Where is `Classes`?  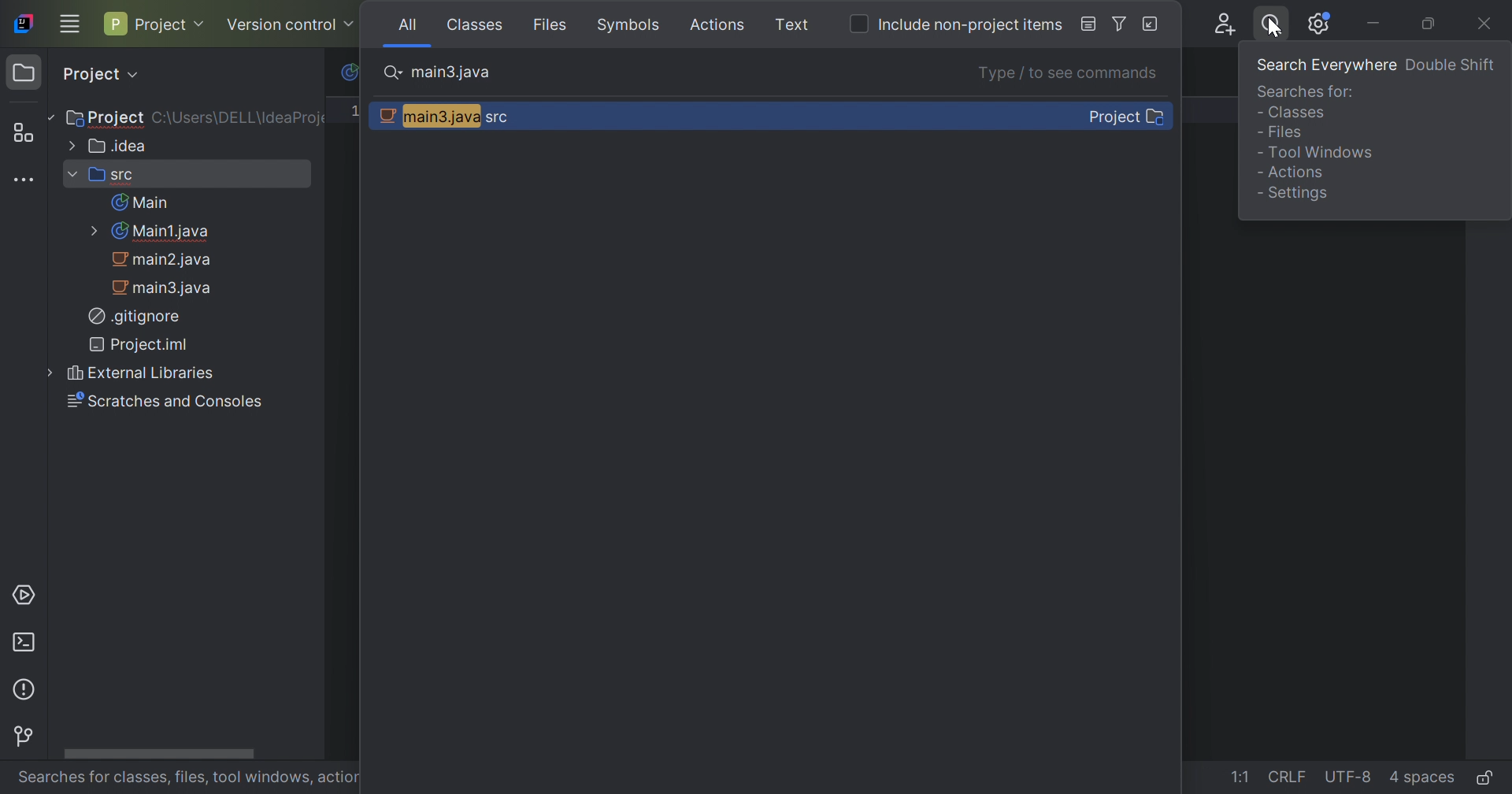
Classes is located at coordinates (477, 26).